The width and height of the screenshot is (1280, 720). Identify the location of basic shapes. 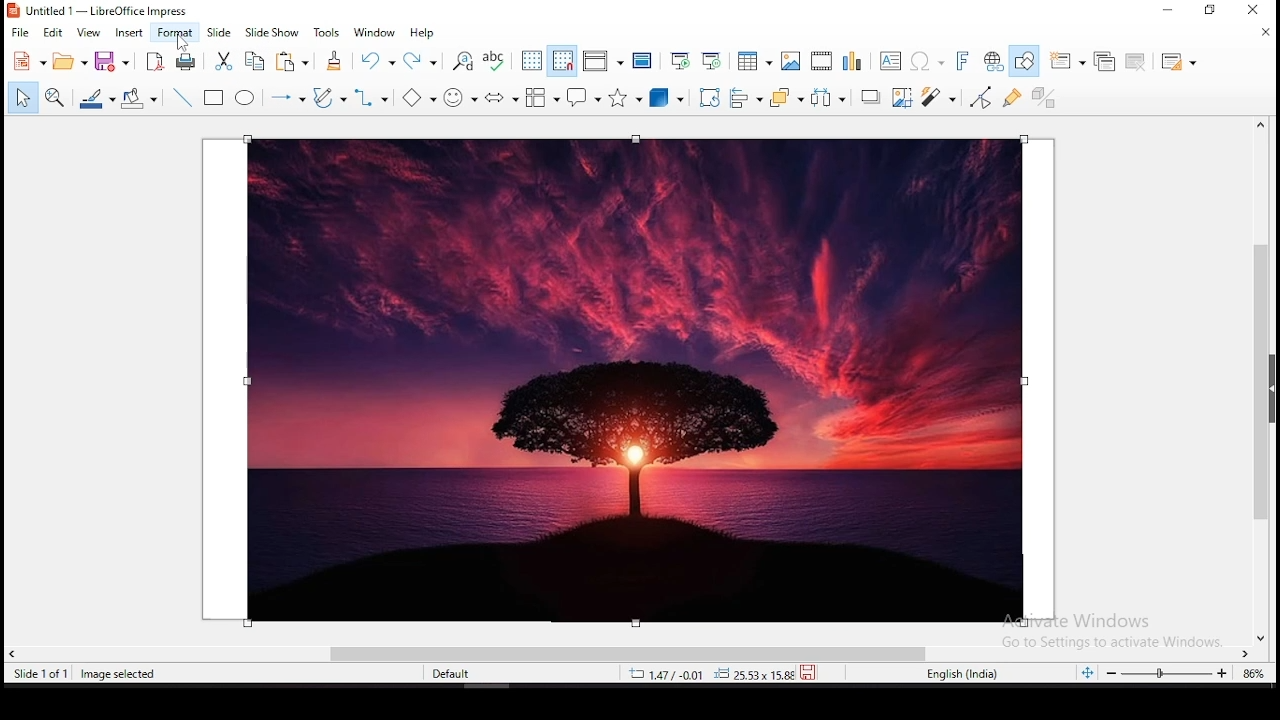
(419, 97).